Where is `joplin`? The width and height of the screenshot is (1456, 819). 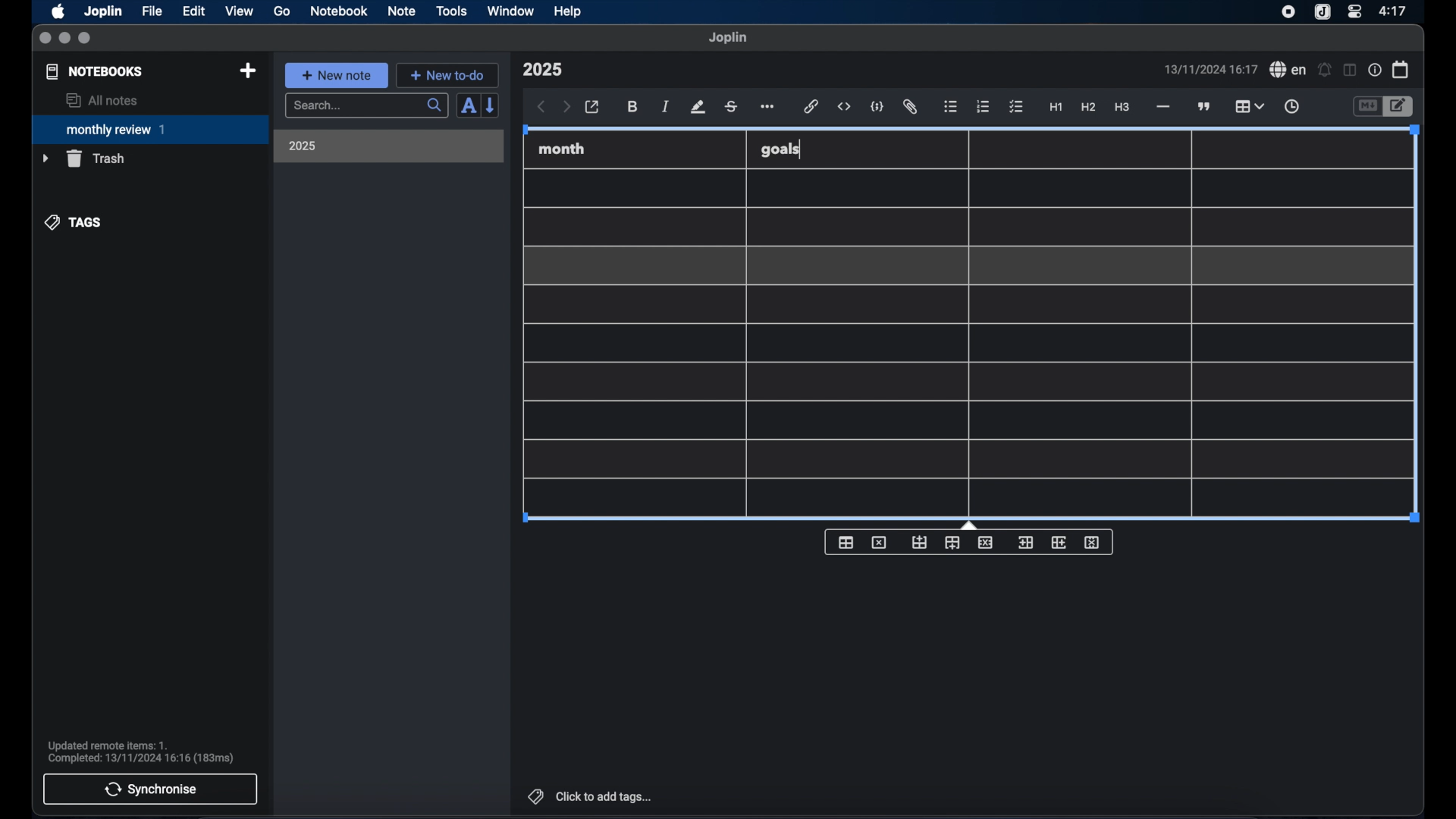
joplin is located at coordinates (728, 37).